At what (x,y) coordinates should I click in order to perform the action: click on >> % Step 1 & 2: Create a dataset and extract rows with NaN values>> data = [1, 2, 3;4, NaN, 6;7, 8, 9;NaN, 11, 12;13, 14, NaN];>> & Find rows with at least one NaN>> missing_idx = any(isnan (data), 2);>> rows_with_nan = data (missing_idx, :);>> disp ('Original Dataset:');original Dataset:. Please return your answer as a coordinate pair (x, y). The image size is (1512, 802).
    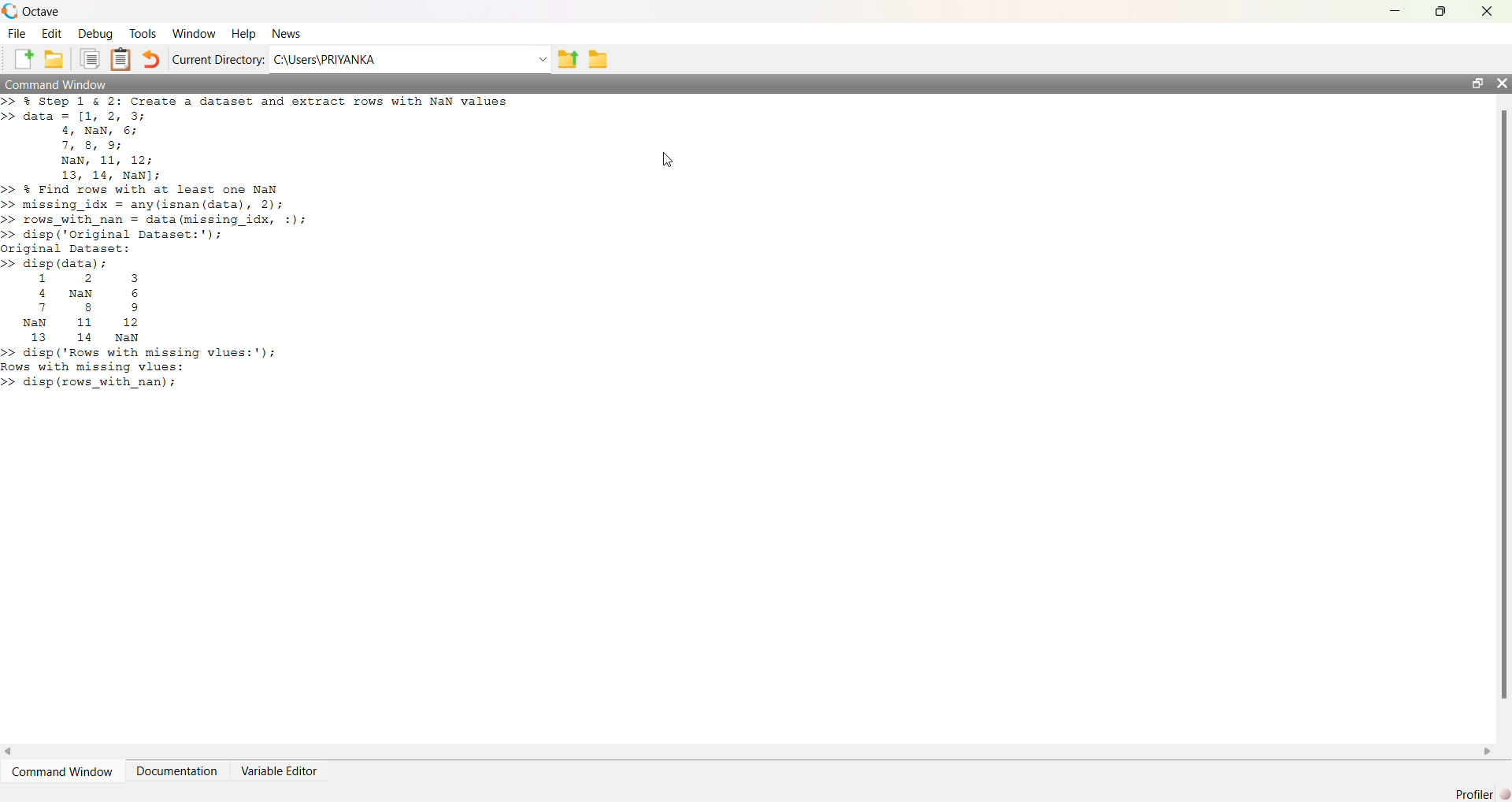
    Looking at the image, I should click on (259, 174).